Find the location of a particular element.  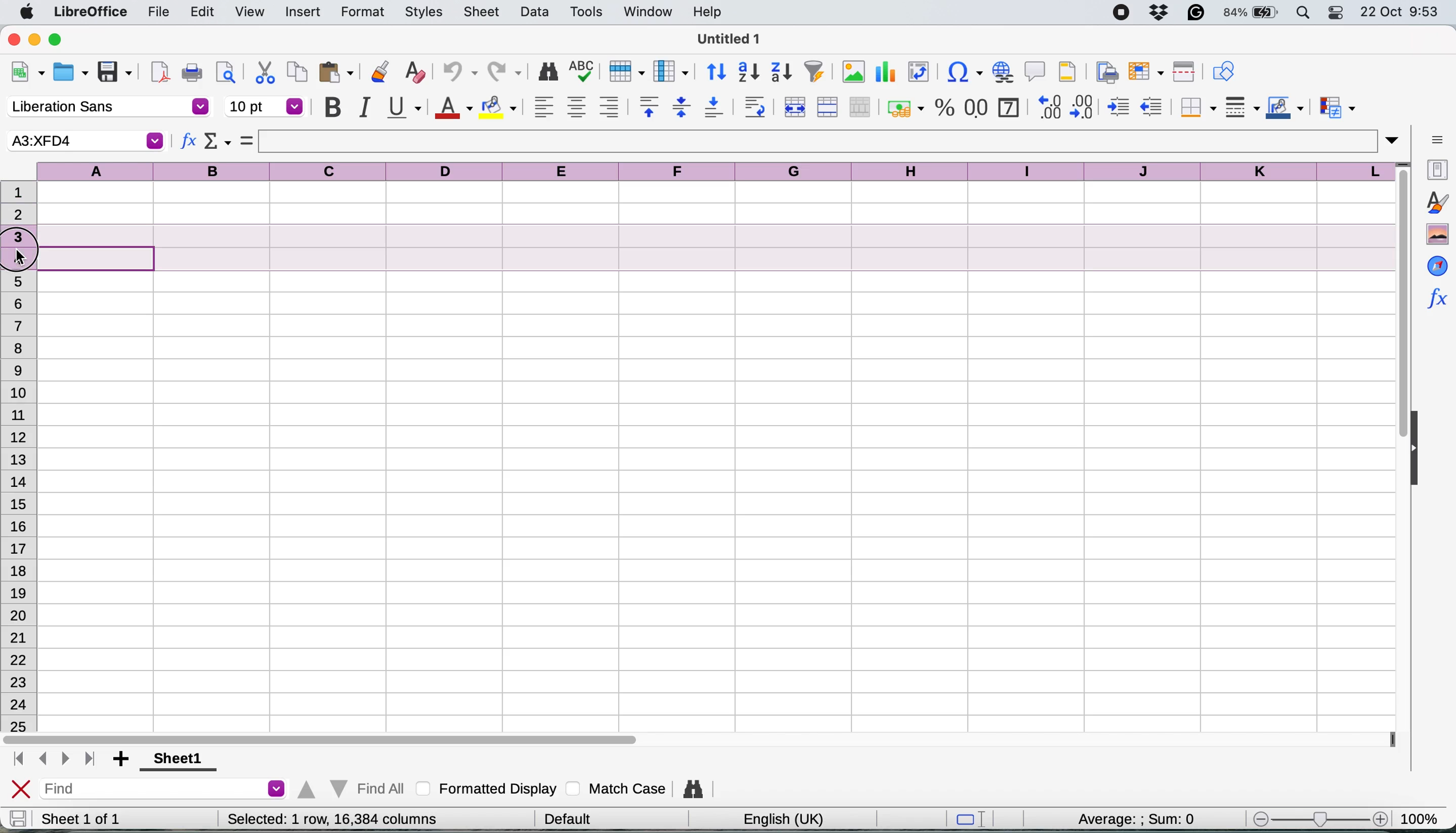

format is located at coordinates (363, 13).